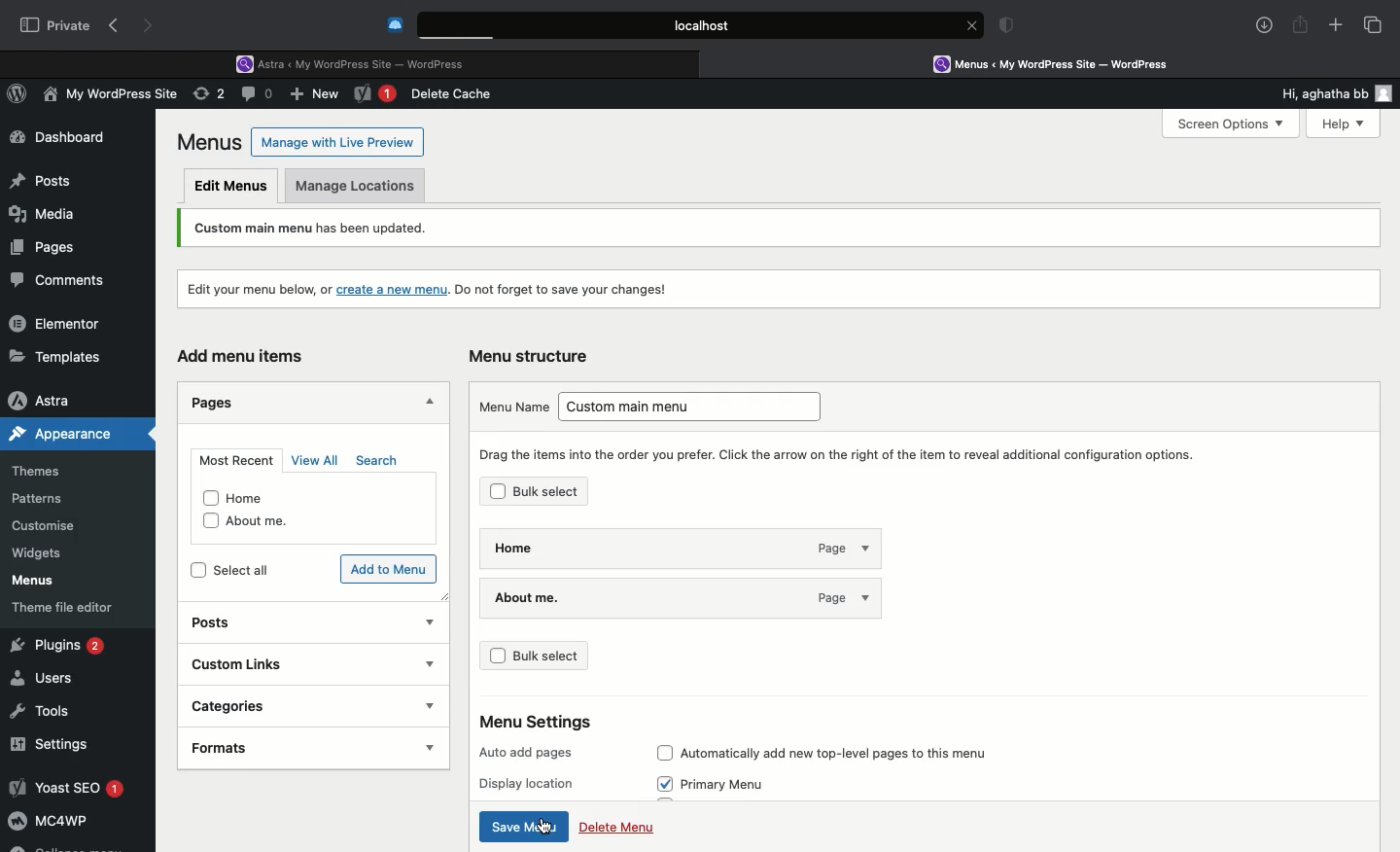 This screenshot has width=1400, height=852. What do you see at coordinates (1336, 28) in the screenshot?
I see `Add new tab` at bounding box center [1336, 28].